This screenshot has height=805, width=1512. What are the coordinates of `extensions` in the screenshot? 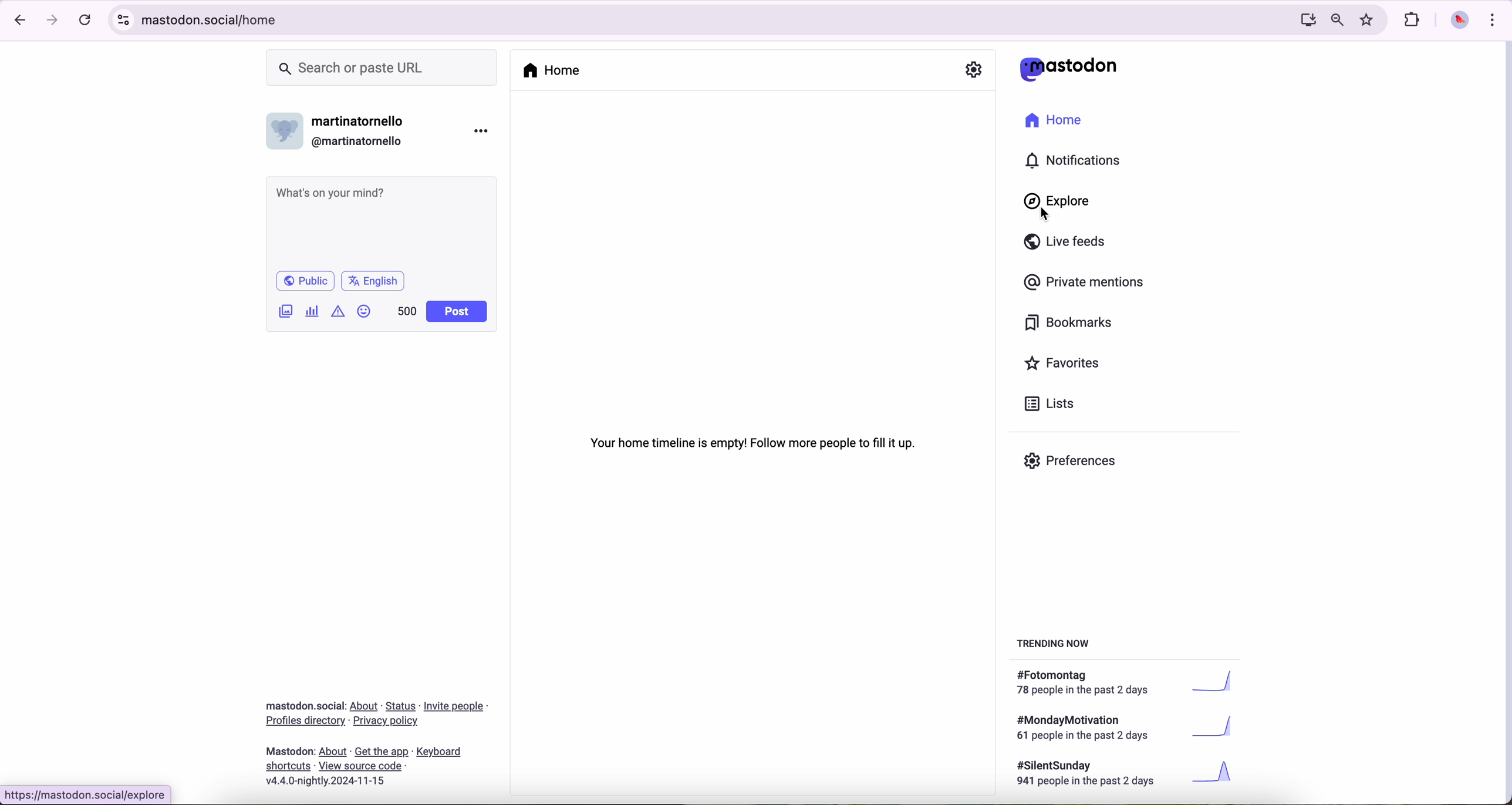 It's located at (1413, 20).